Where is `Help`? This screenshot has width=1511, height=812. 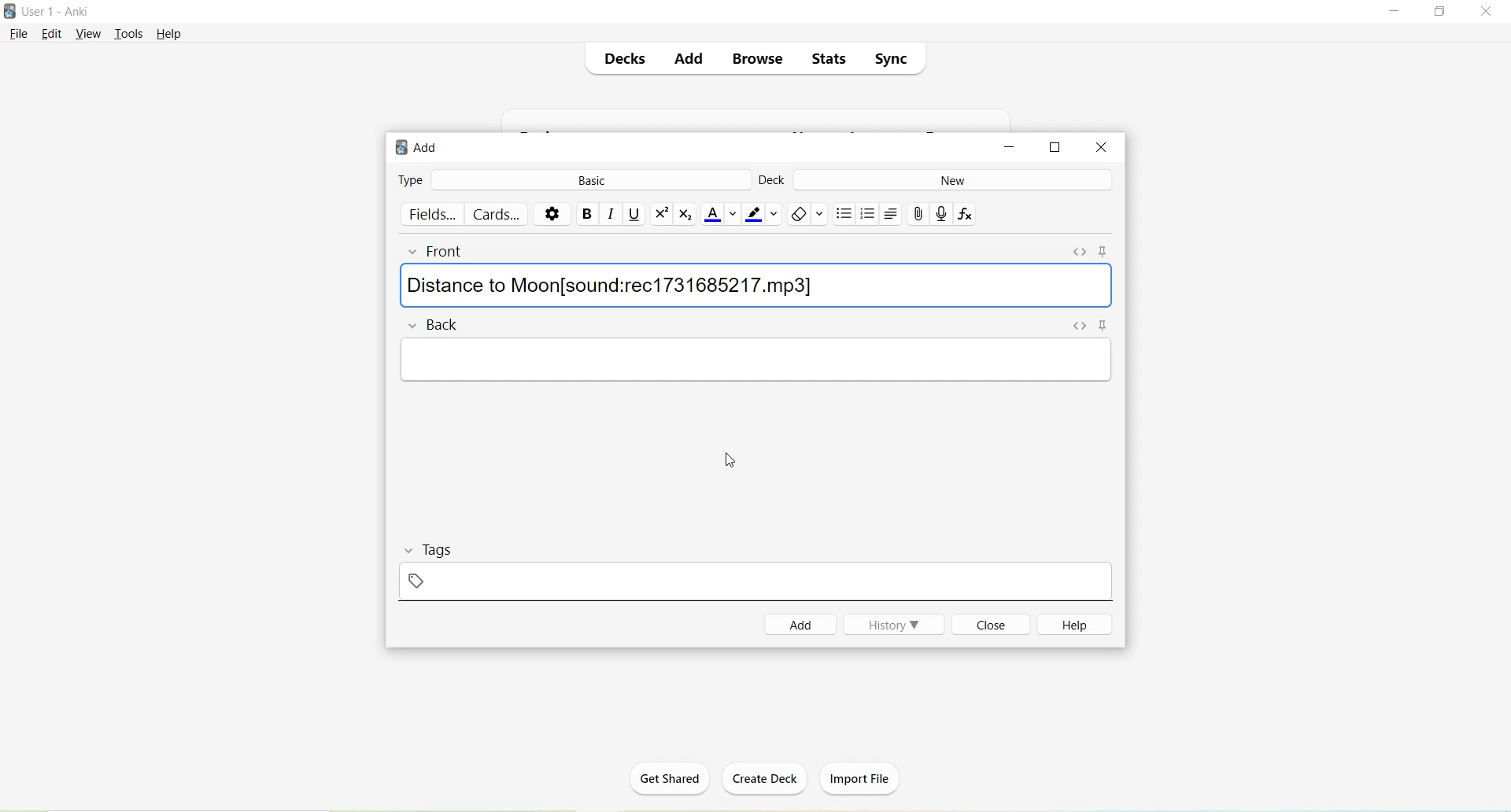
Help is located at coordinates (1070, 625).